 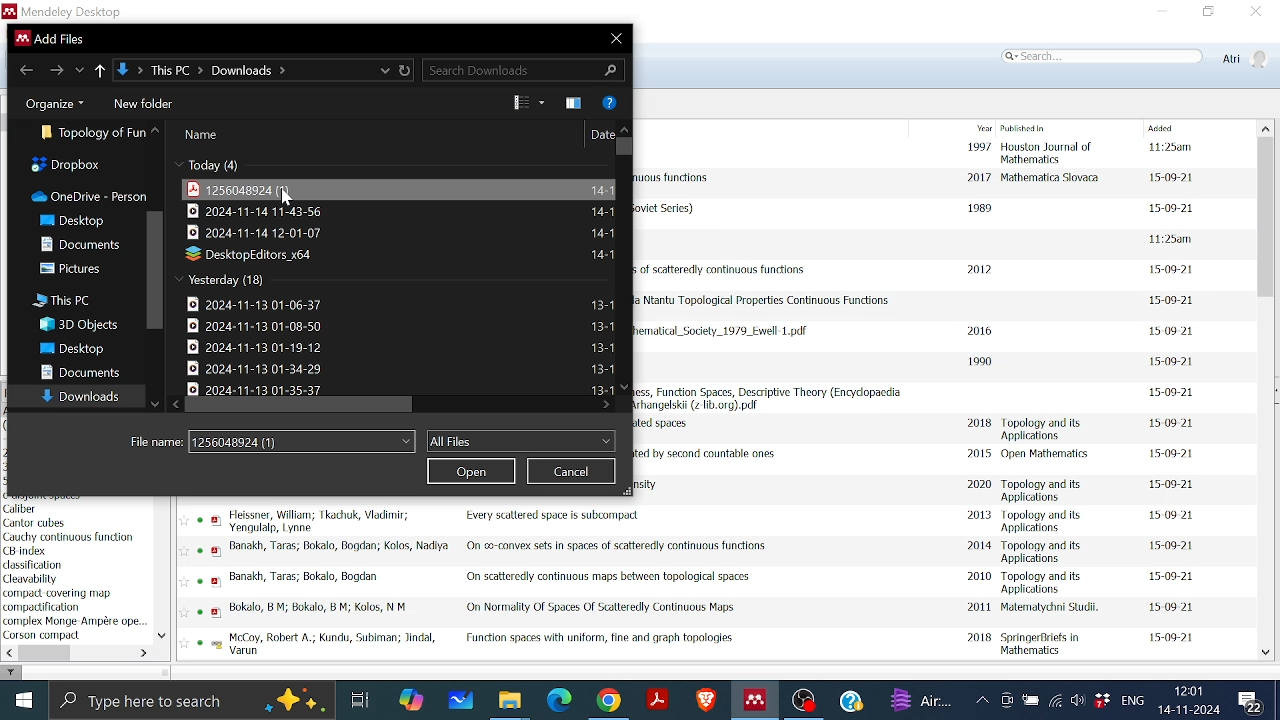 I want to click on date, so click(x=1168, y=578).